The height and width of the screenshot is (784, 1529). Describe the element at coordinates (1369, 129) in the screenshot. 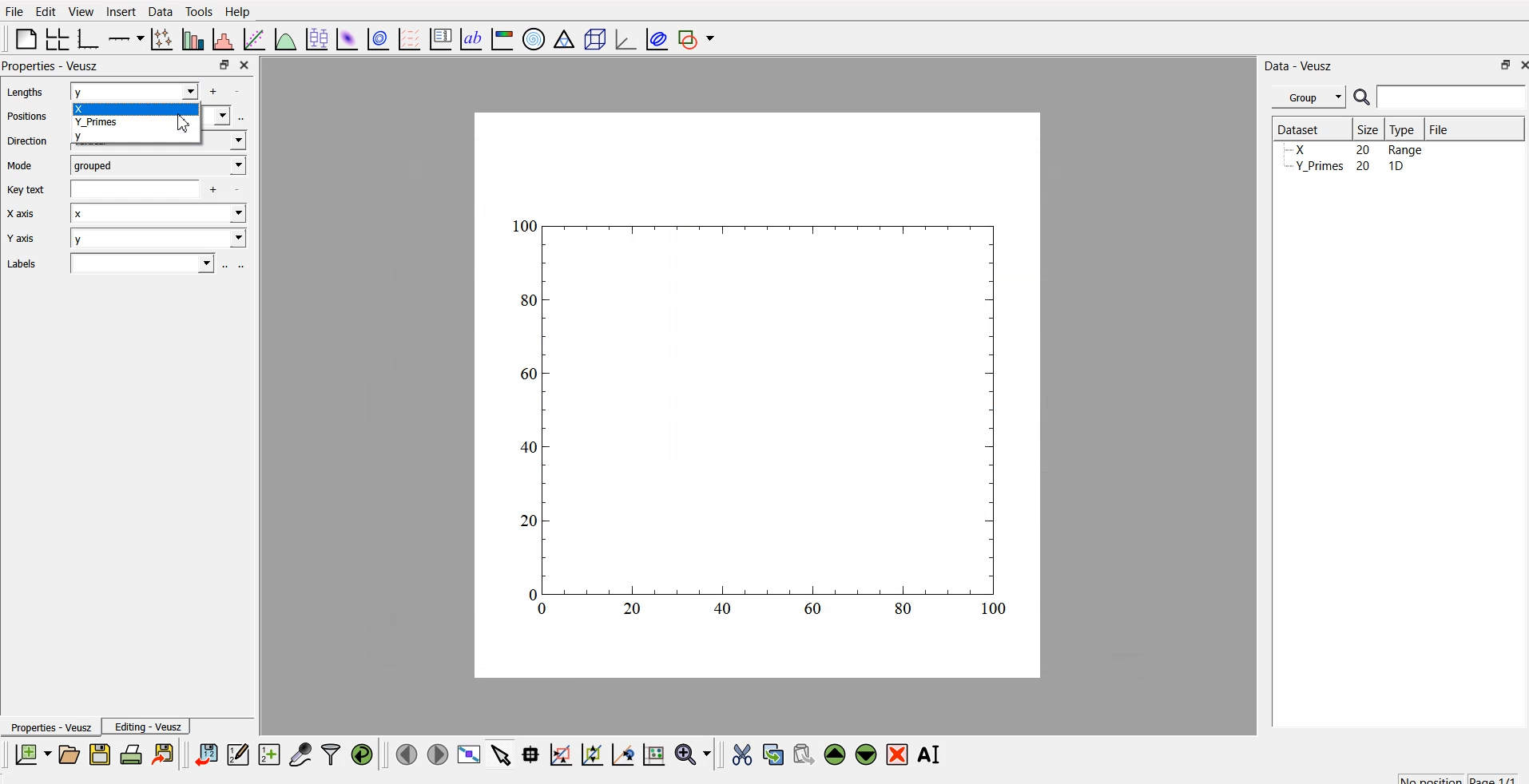

I see `| Size` at that location.